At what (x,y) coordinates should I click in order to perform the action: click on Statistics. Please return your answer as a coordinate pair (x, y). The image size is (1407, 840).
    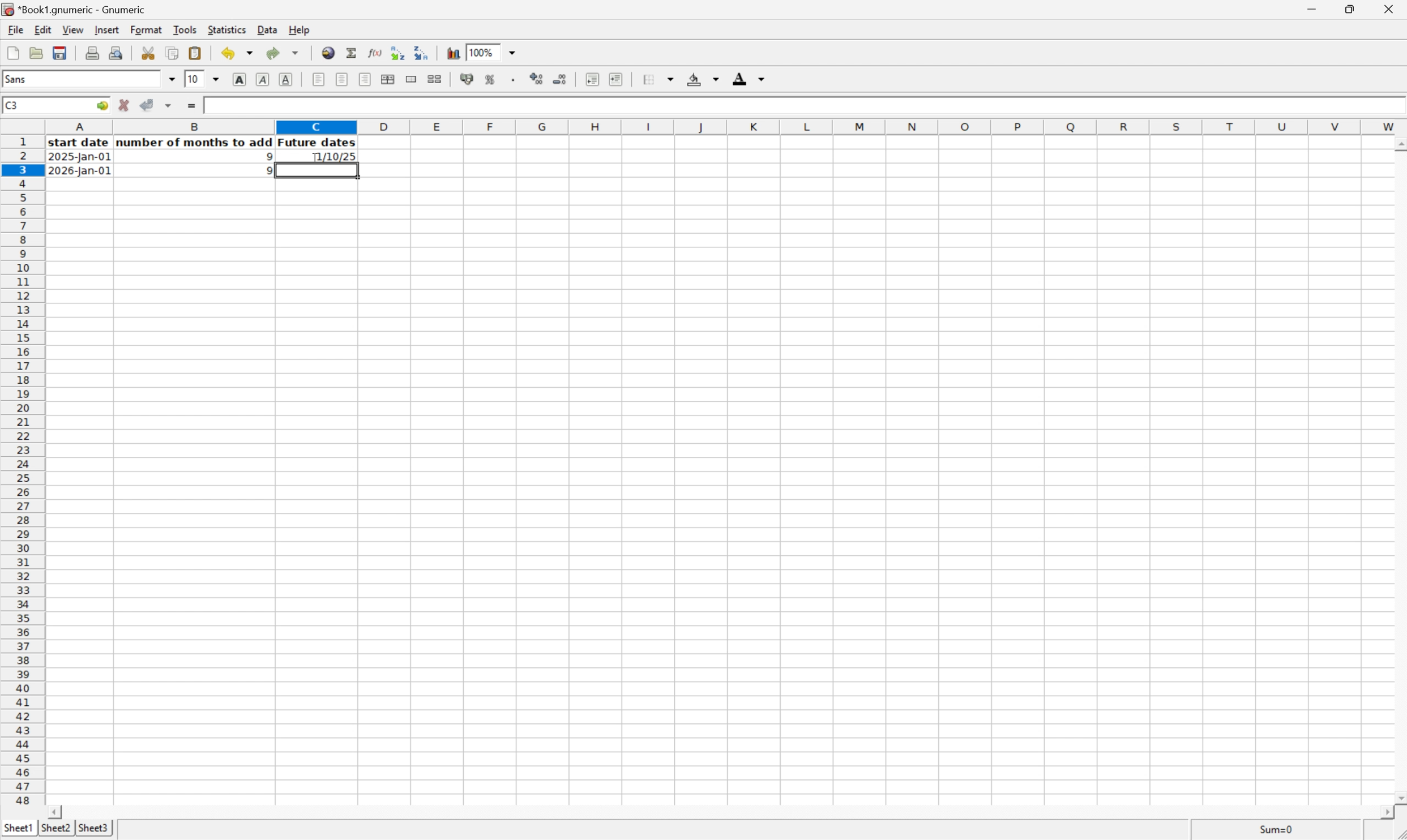
    Looking at the image, I should click on (227, 28).